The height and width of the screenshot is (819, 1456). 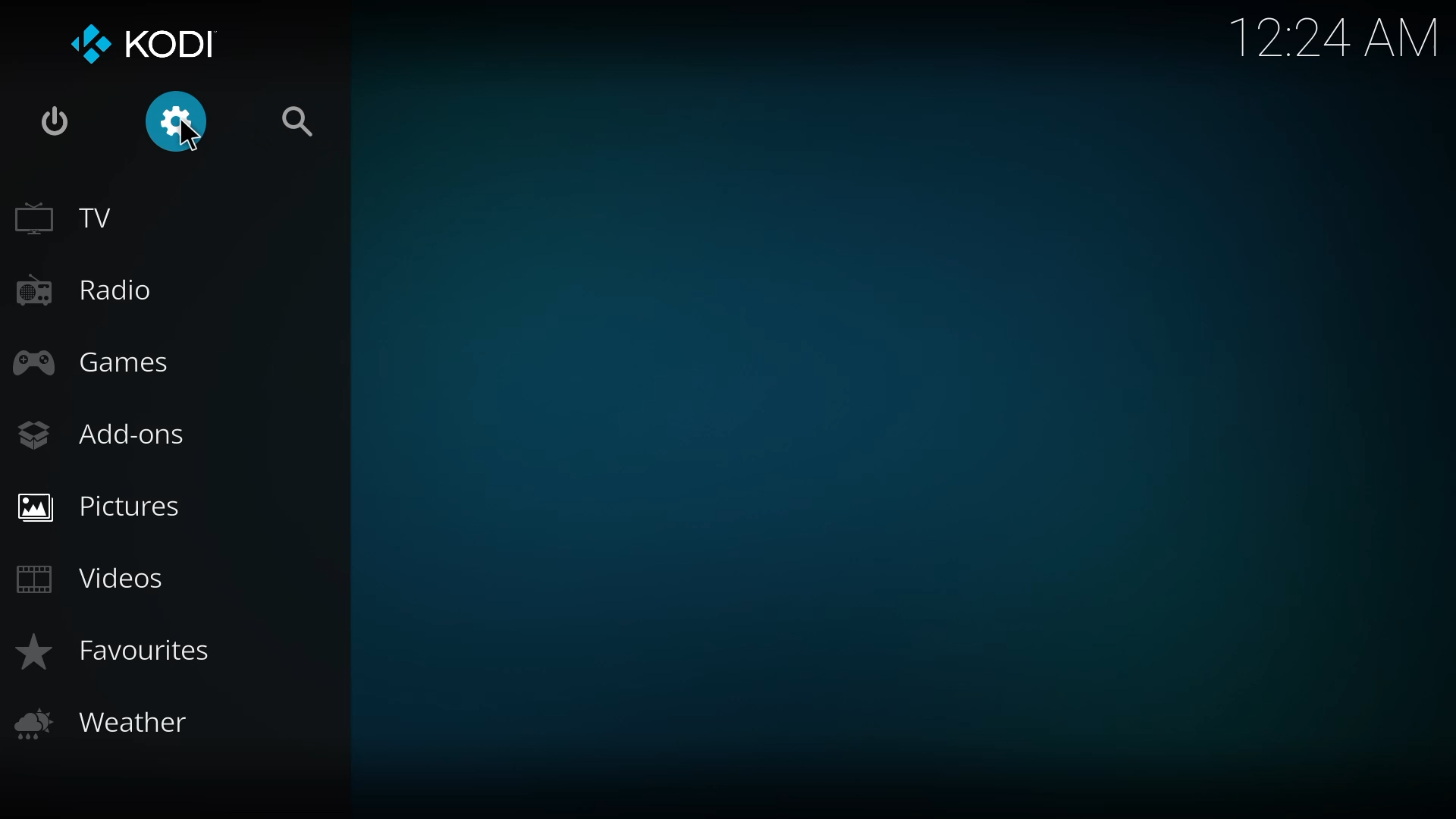 What do you see at coordinates (103, 510) in the screenshot?
I see `Pictures` at bounding box center [103, 510].